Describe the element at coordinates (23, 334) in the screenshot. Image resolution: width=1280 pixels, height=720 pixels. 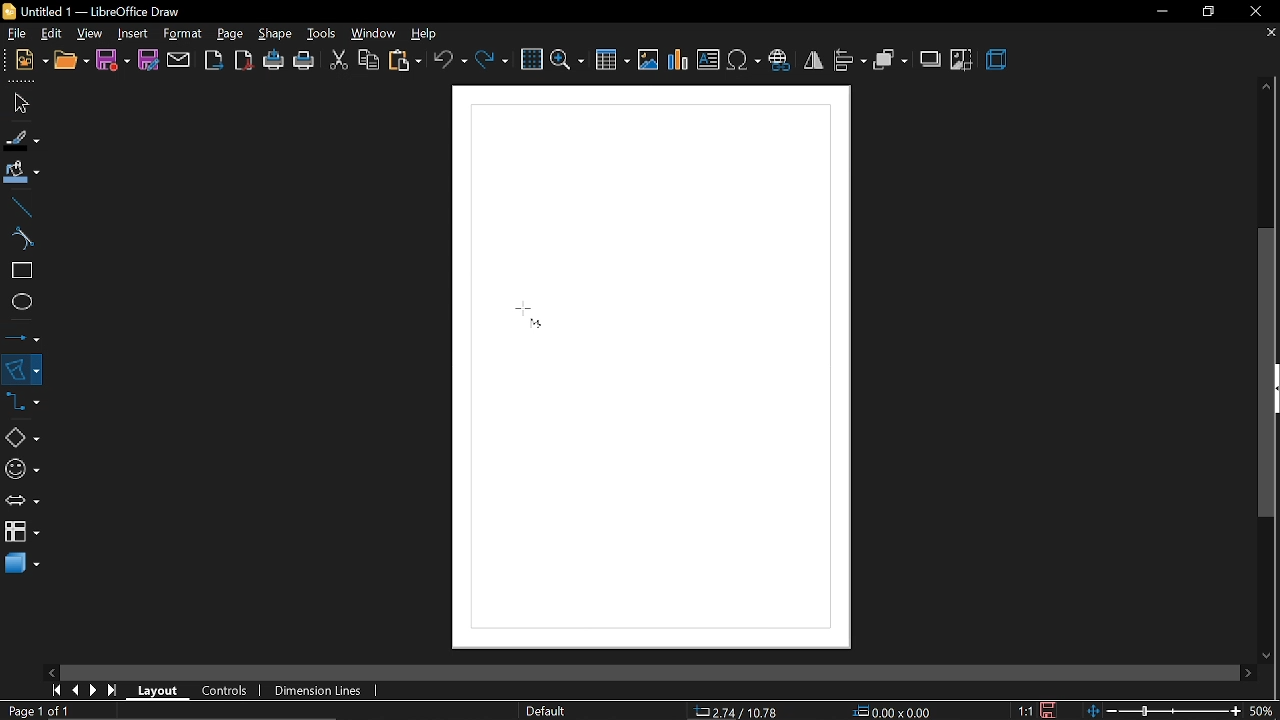
I see `lines and arrows` at that location.